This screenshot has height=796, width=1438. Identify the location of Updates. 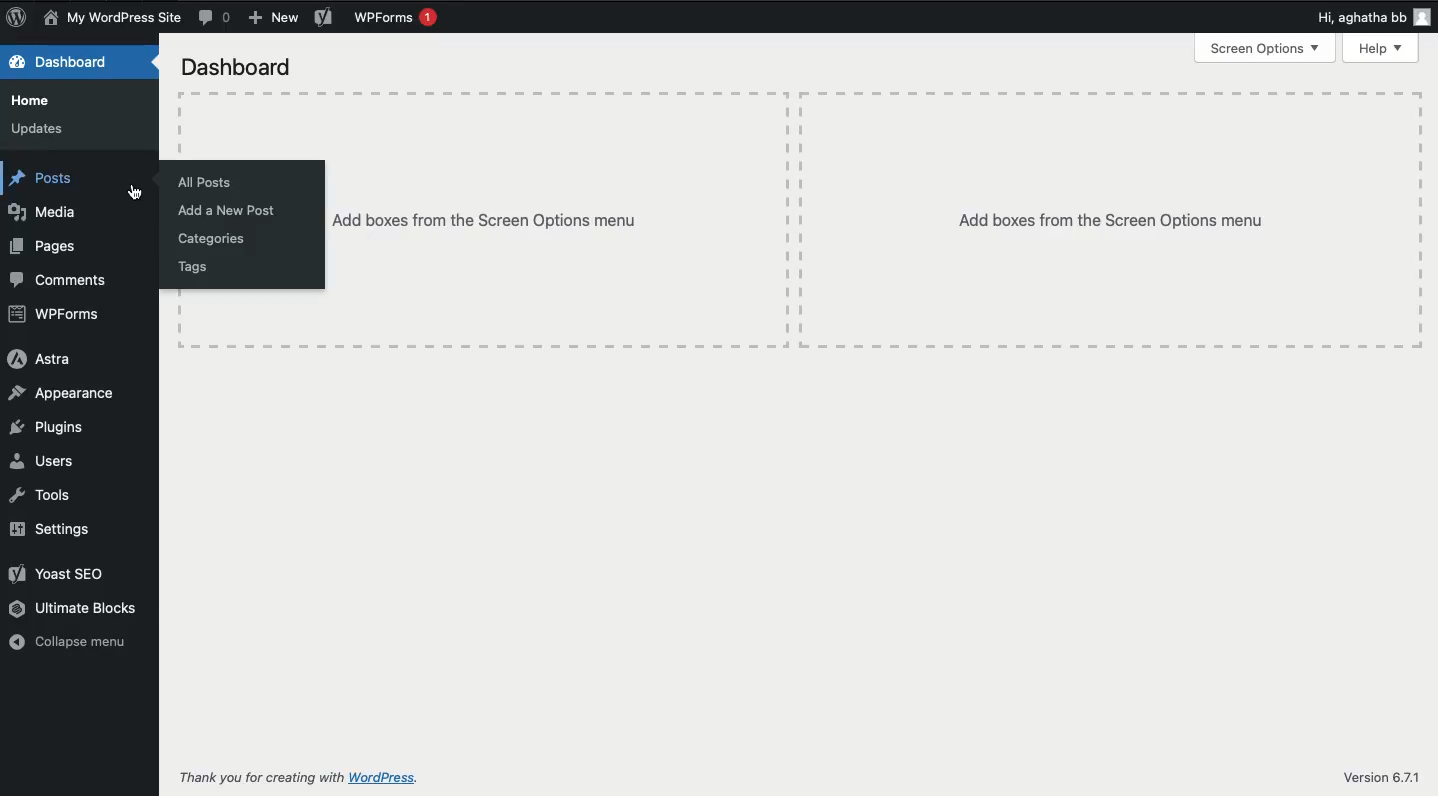
(37, 131).